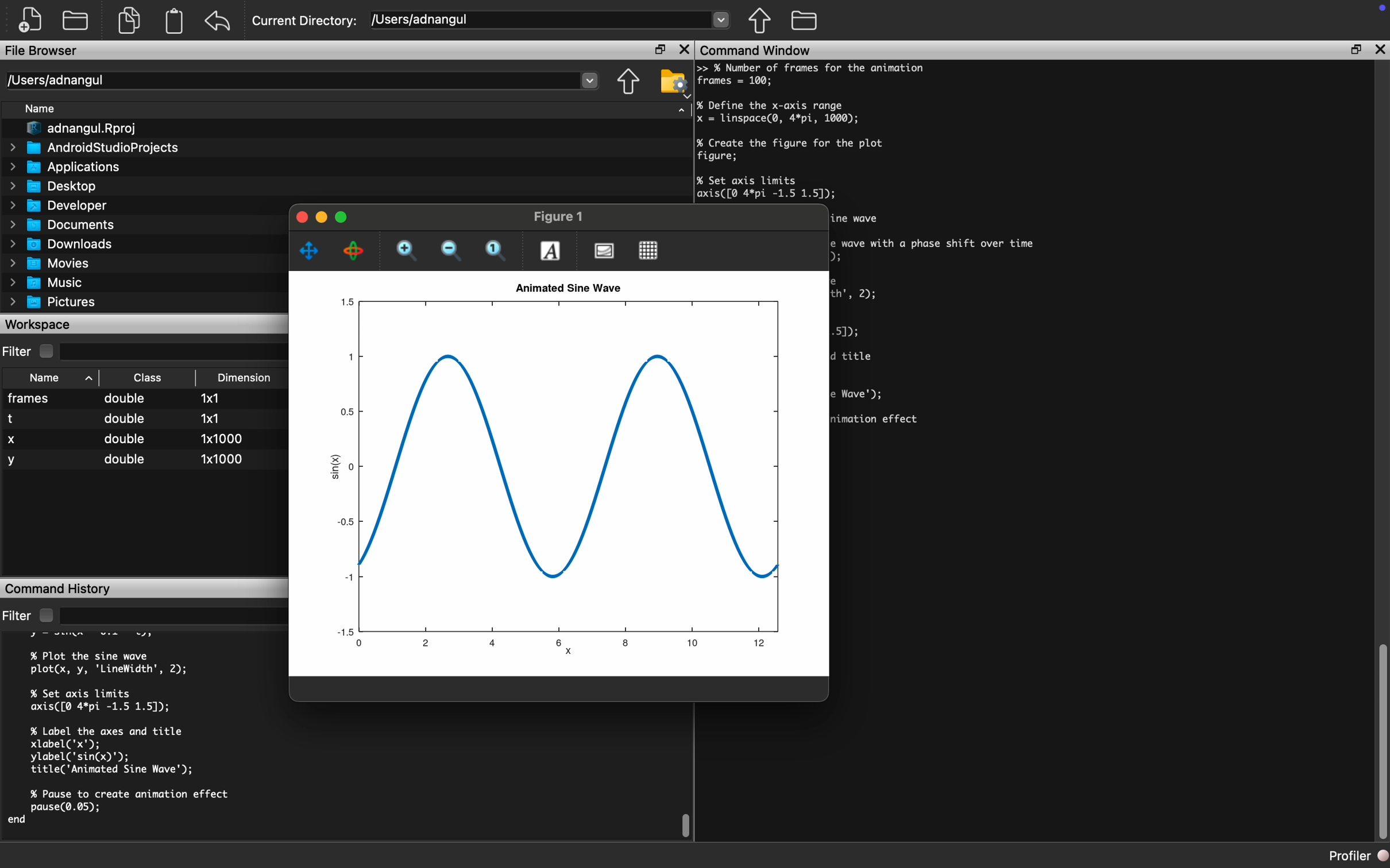 The image size is (1390, 868). Describe the element at coordinates (672, 82) in the screenshot. I see `Folder Setting` at that location.